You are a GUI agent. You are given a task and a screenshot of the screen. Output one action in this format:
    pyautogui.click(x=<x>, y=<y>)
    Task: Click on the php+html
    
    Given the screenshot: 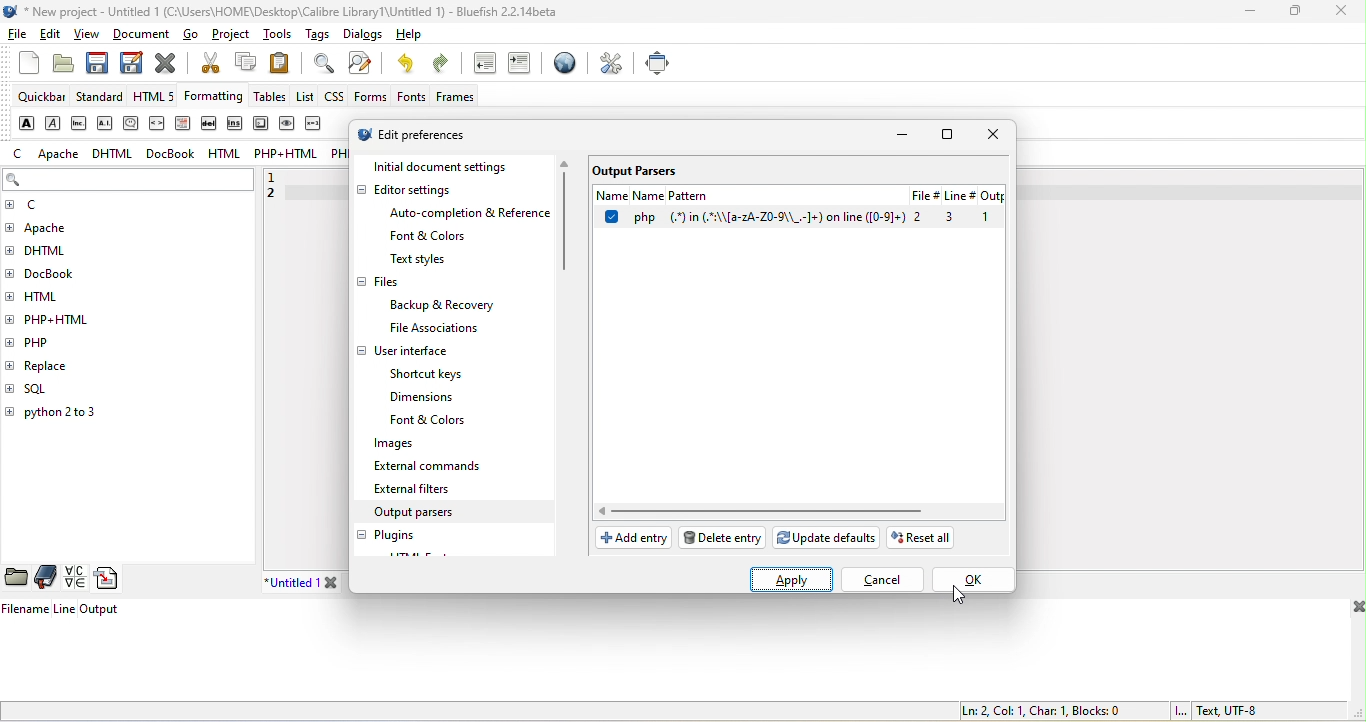 What is the action you would take?
    pyautogui.click(x=65, y=321)
    